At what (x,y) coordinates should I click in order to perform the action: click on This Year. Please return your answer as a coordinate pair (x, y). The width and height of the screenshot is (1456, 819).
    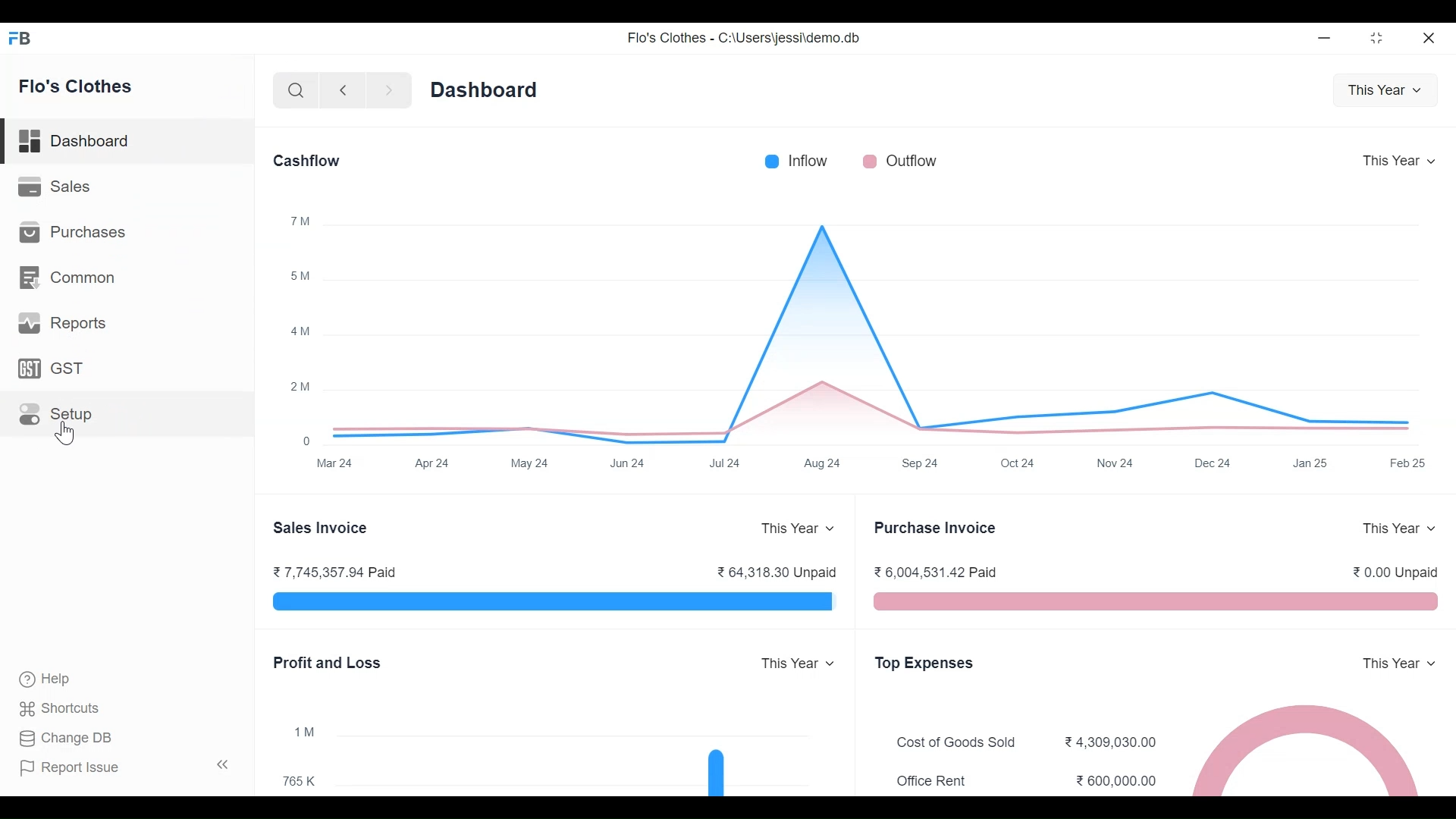
    Looking at the image, I should click on (1399, 664).